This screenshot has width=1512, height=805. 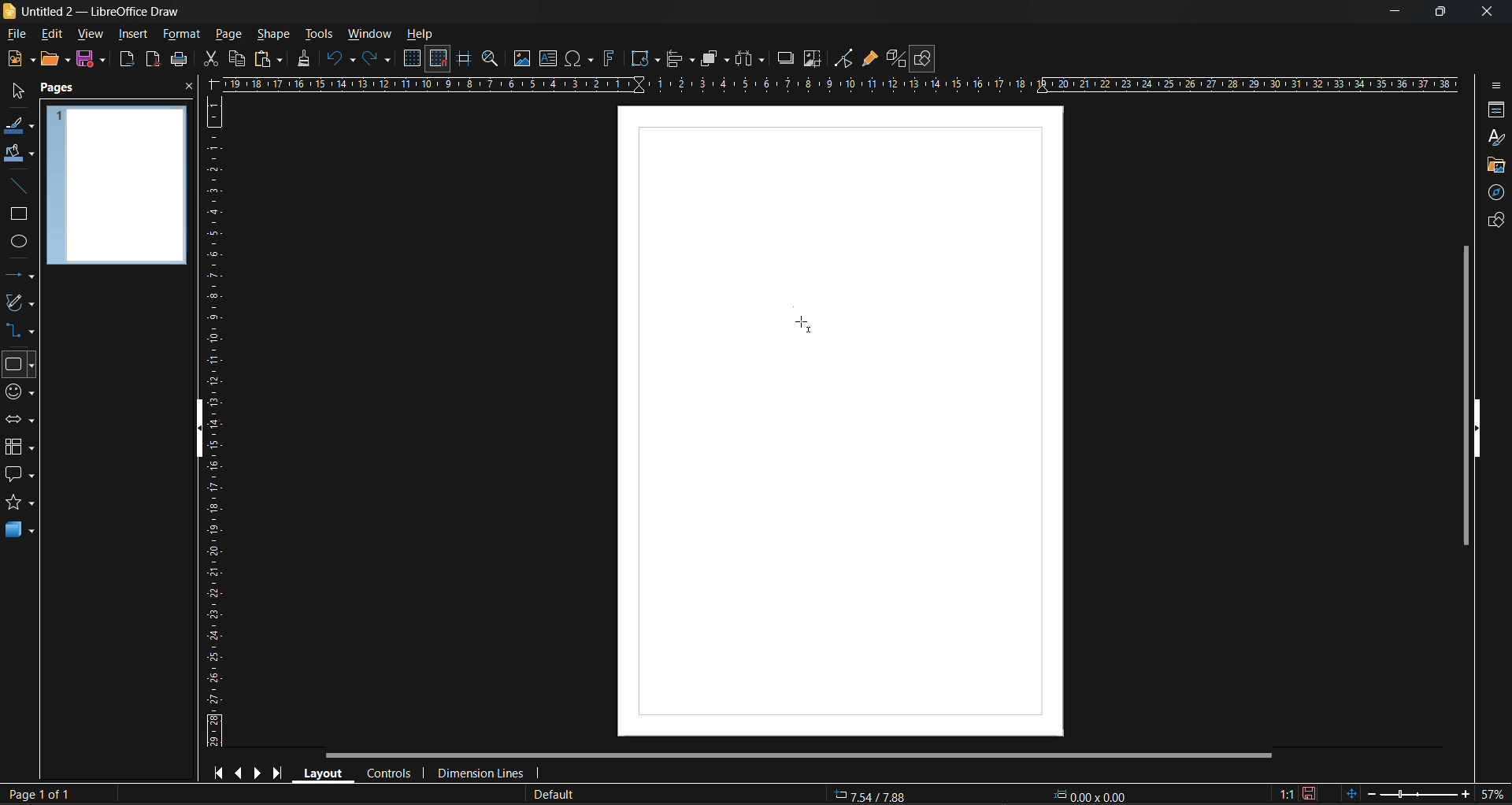 What do you see at coordinates (1465, 796) in the screenshot?
I see `zoom in` at bounding box center [1465, 796].